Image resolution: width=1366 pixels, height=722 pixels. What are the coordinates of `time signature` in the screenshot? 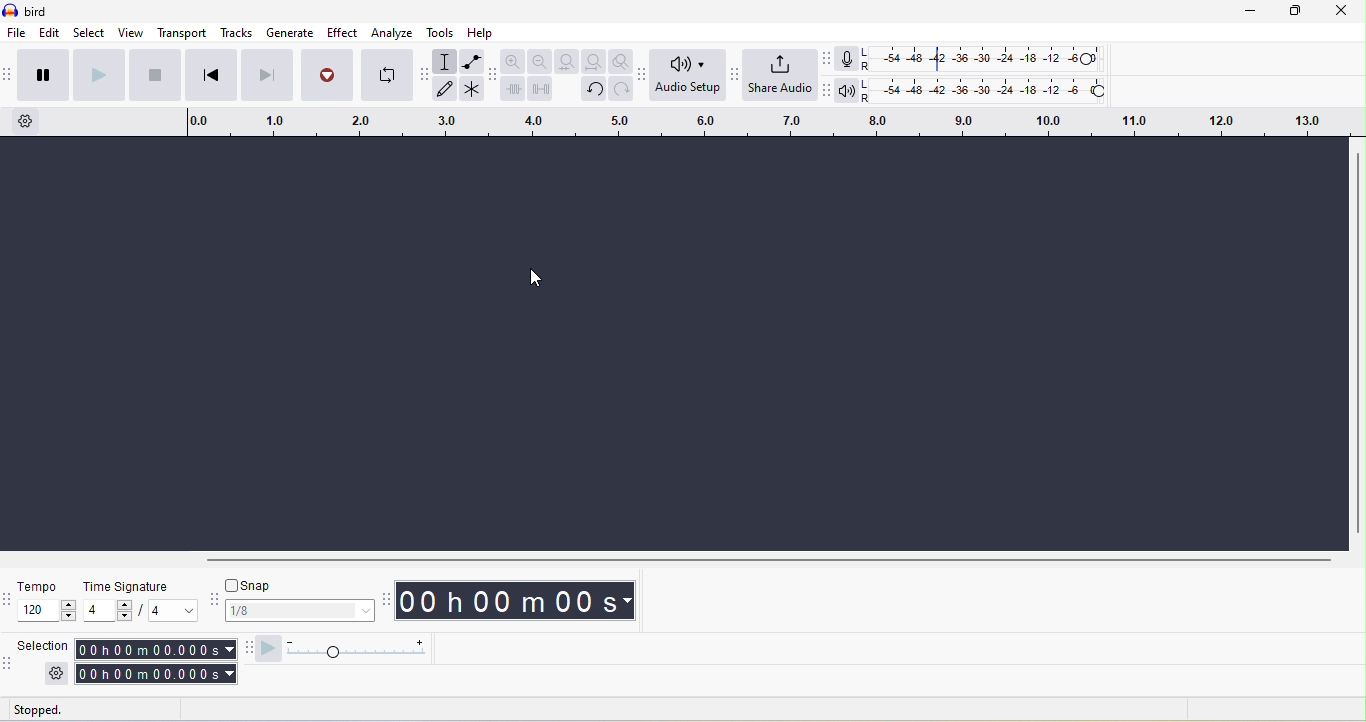 It's located at (139, 586).